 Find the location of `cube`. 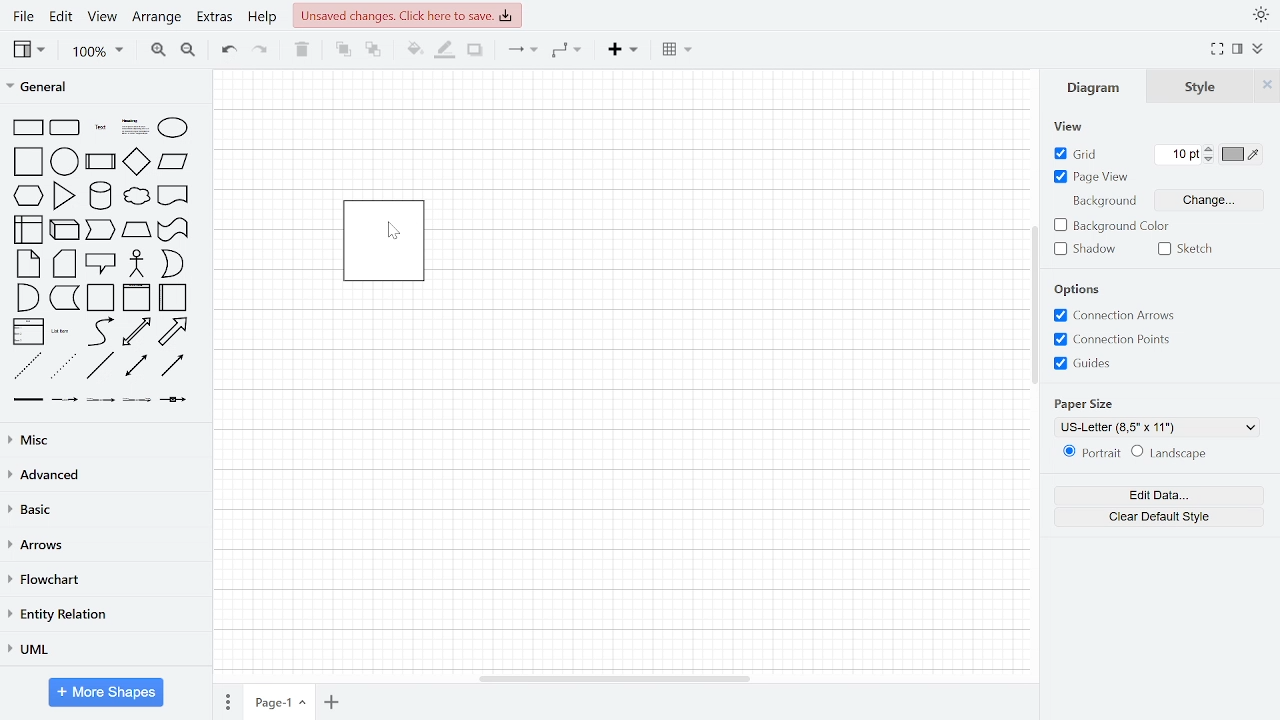

cube is located at coordinates (64, 230).